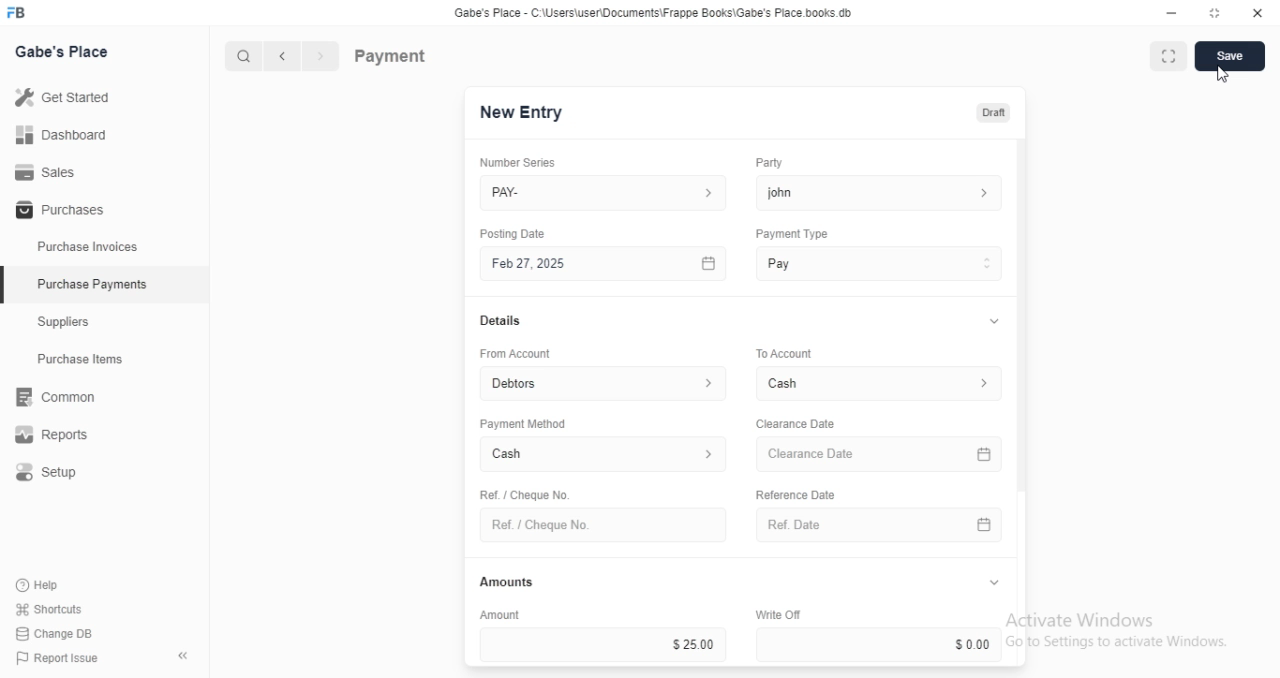 This screenshot has width=1280, height=678. I want to click on close, so click(1258, 13).